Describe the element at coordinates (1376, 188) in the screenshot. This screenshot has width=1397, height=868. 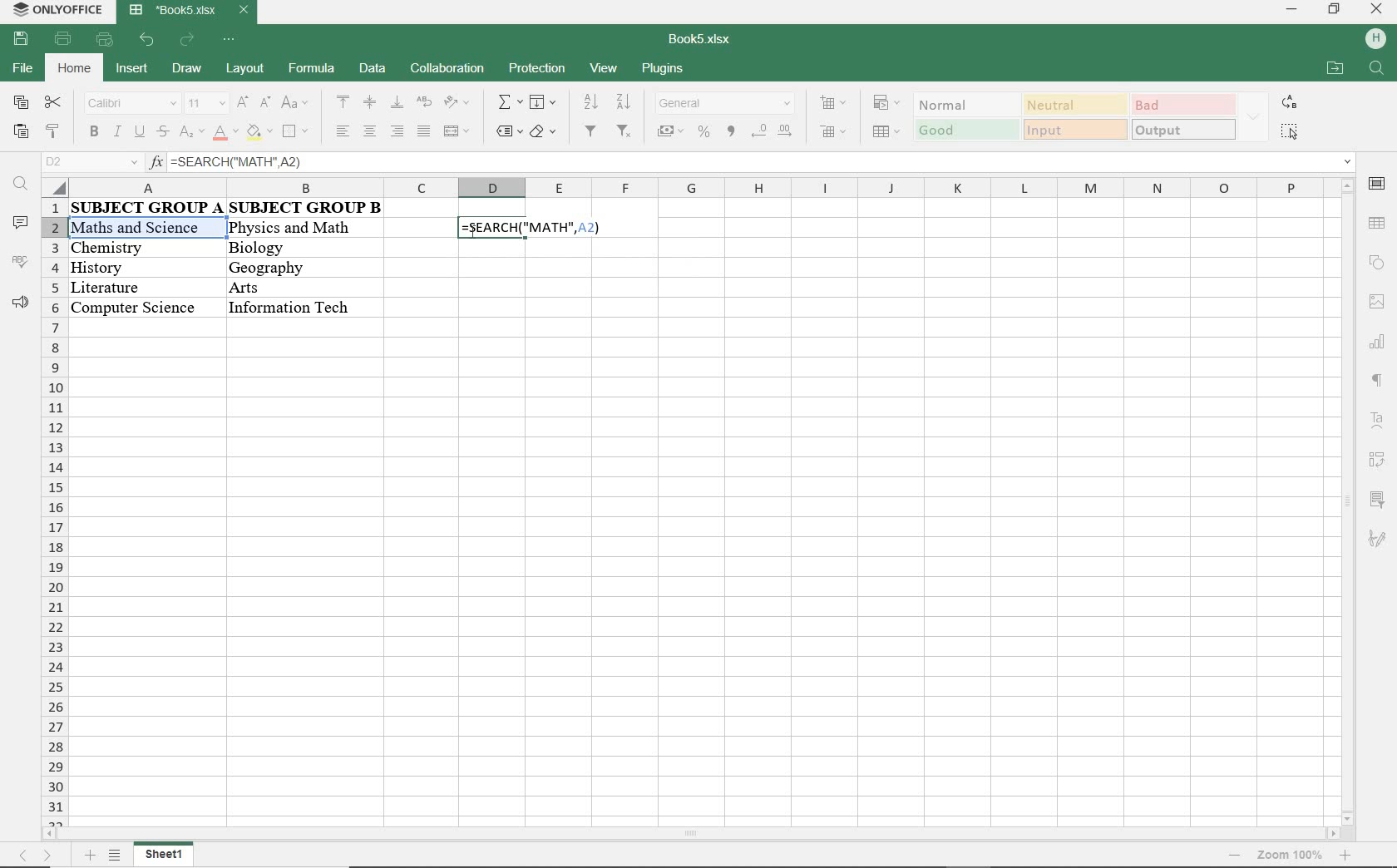
I see `sign` at that location.